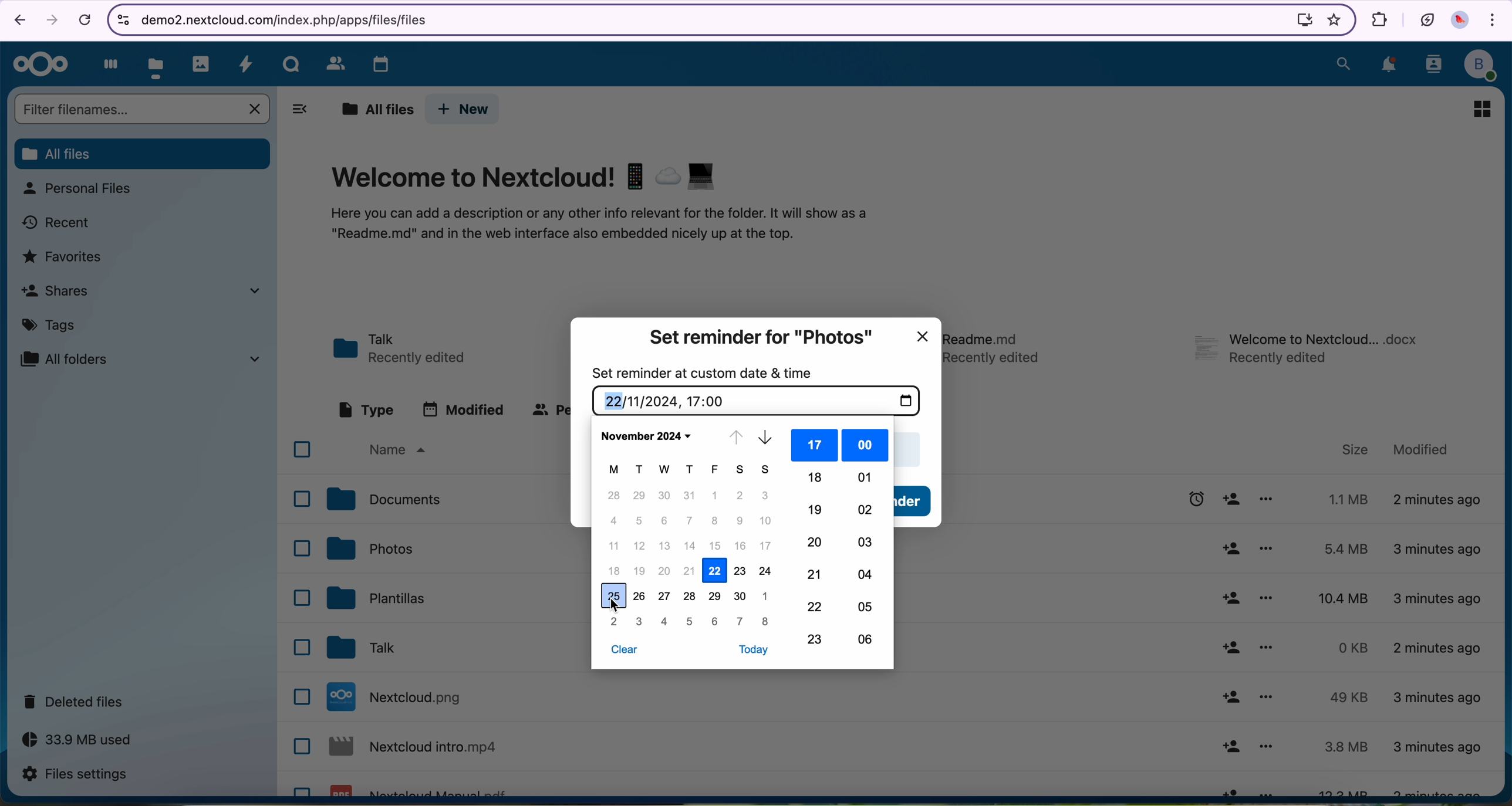  I want to click on photos, so click(372, 548).